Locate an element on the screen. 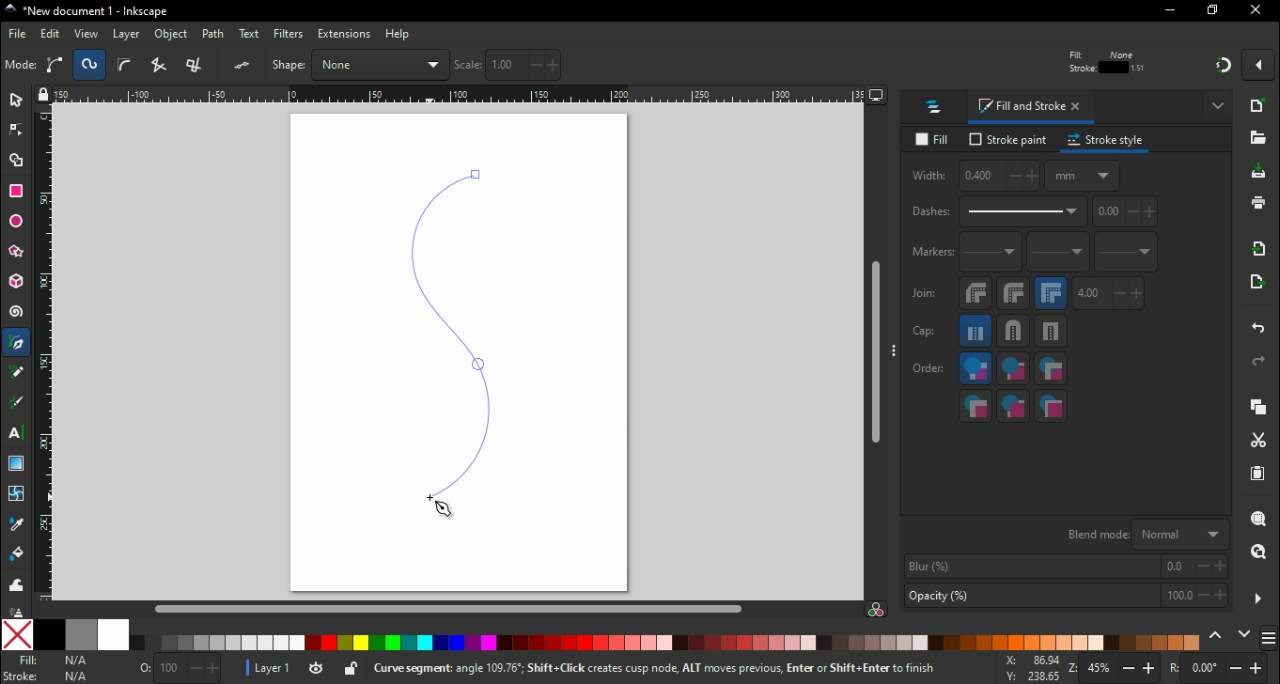 The height and width of the screenshot is (684, 1280). layer settings is located at coordinates (302, 669).